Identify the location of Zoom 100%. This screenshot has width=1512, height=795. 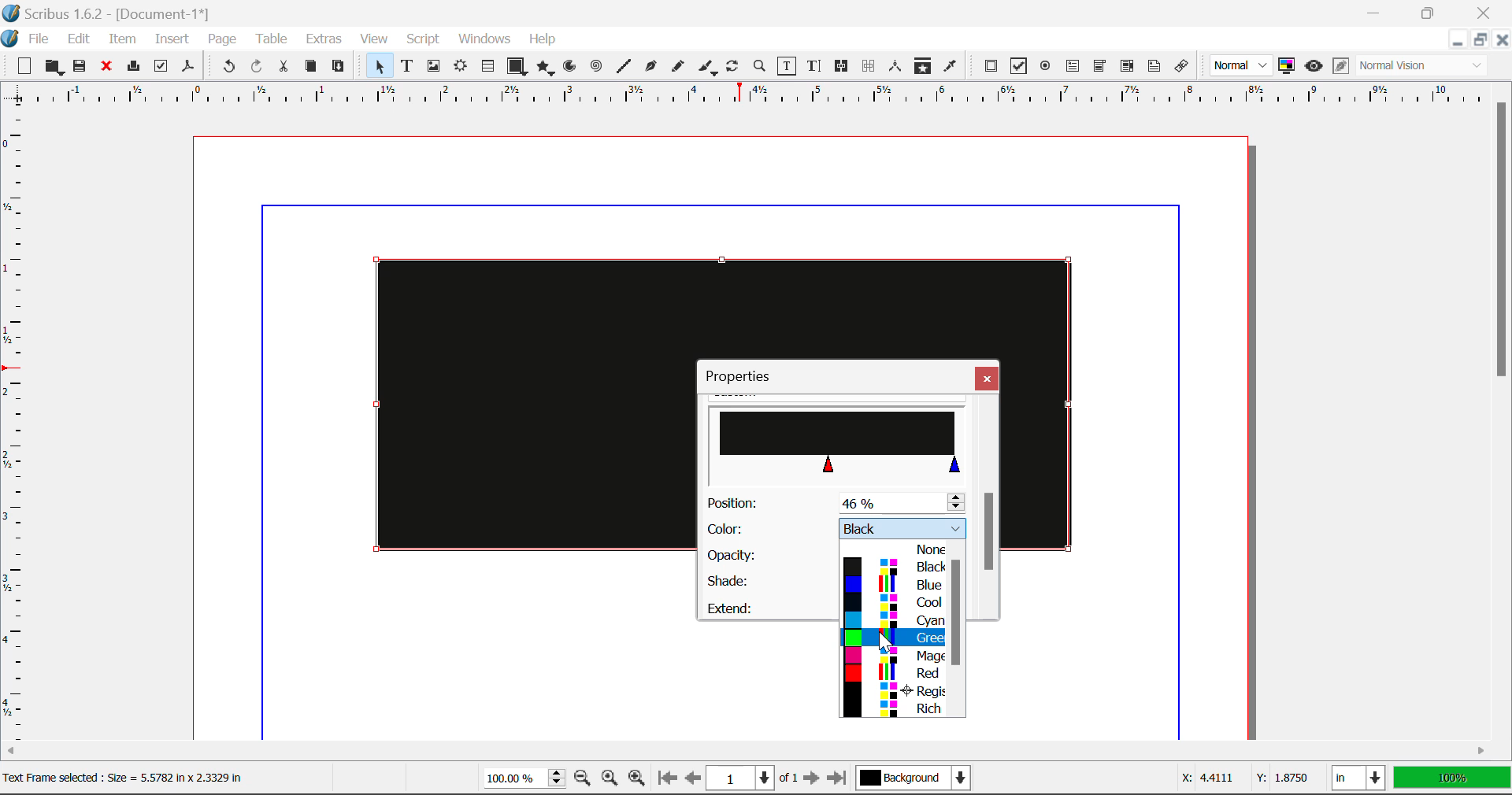
(524, 780).